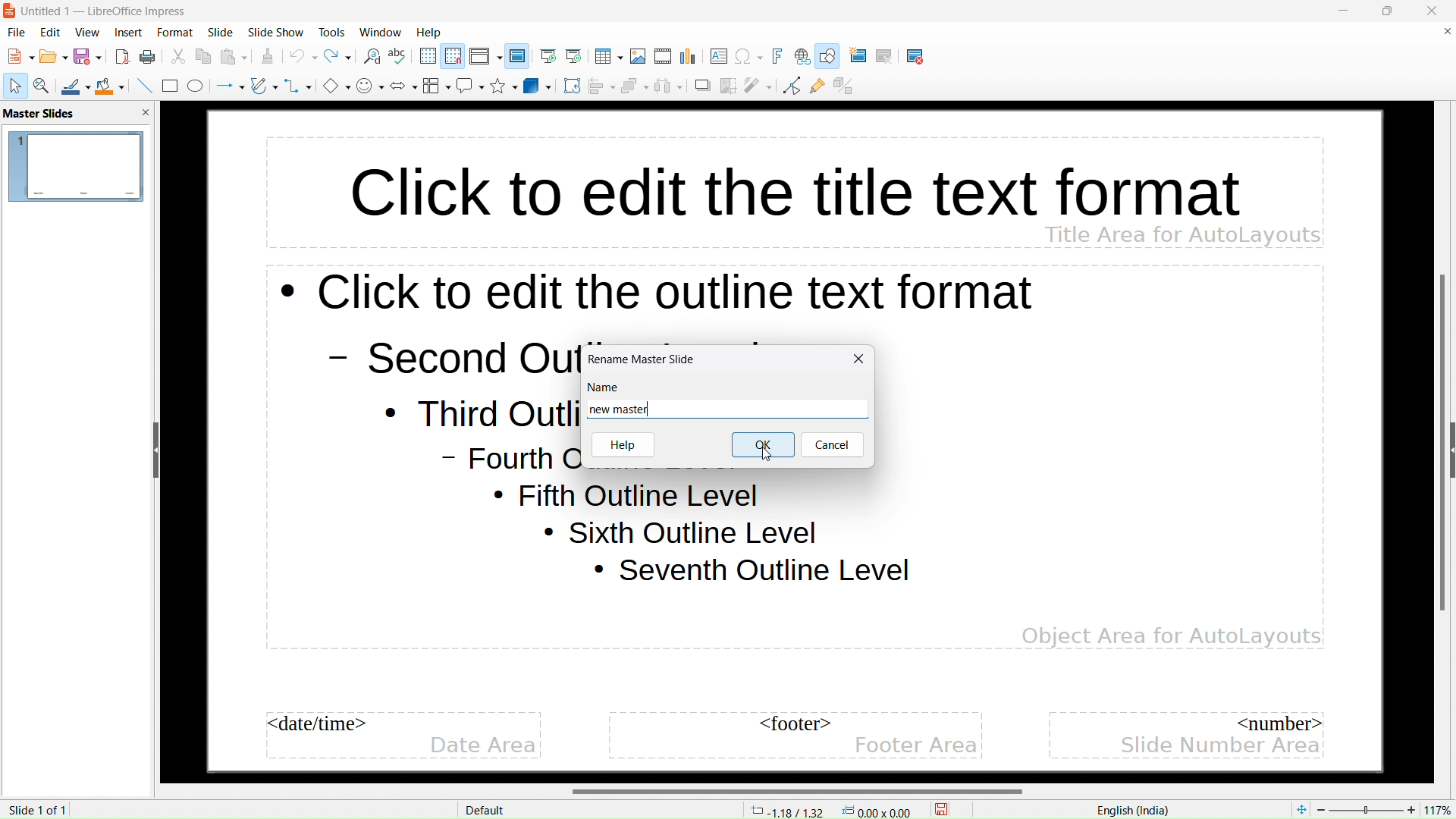 The image size is (1456, 819). Describe the element at coordinates (17, 33) in the screenshot. I see `file` at that location.